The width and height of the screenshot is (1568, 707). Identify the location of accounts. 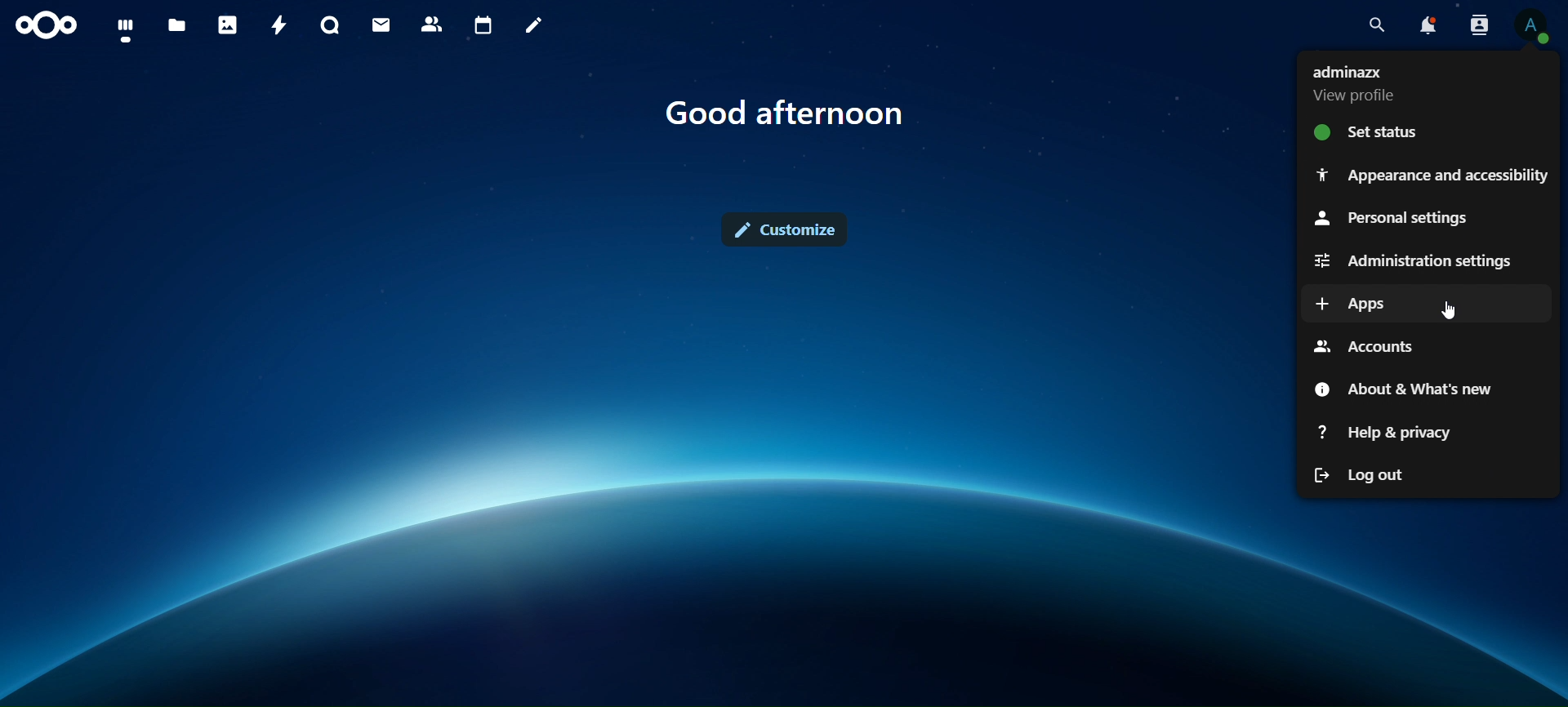
(1363, 349).